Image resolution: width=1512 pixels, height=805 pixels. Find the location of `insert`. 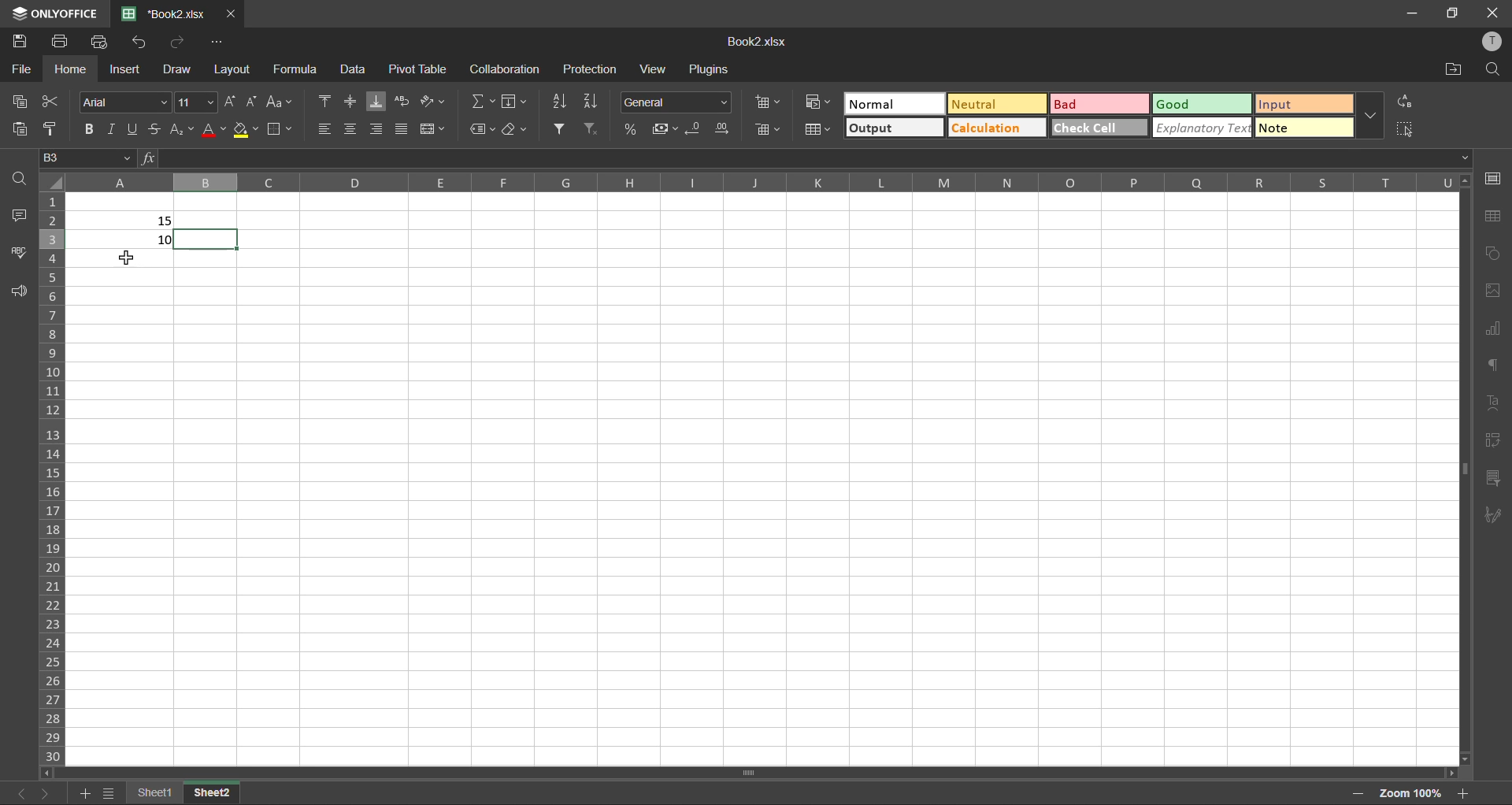

insert is located at coordinates (125, 70).